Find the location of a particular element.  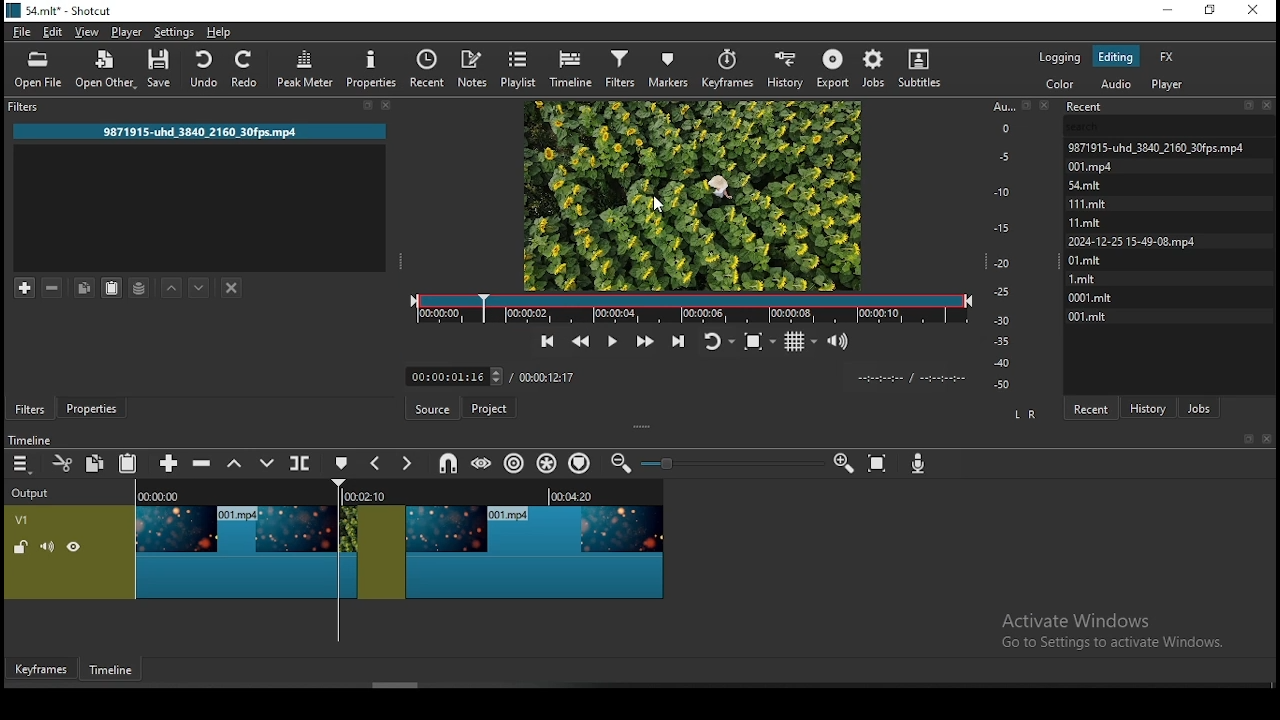

bookmark is located at coordinates (1244, 439).